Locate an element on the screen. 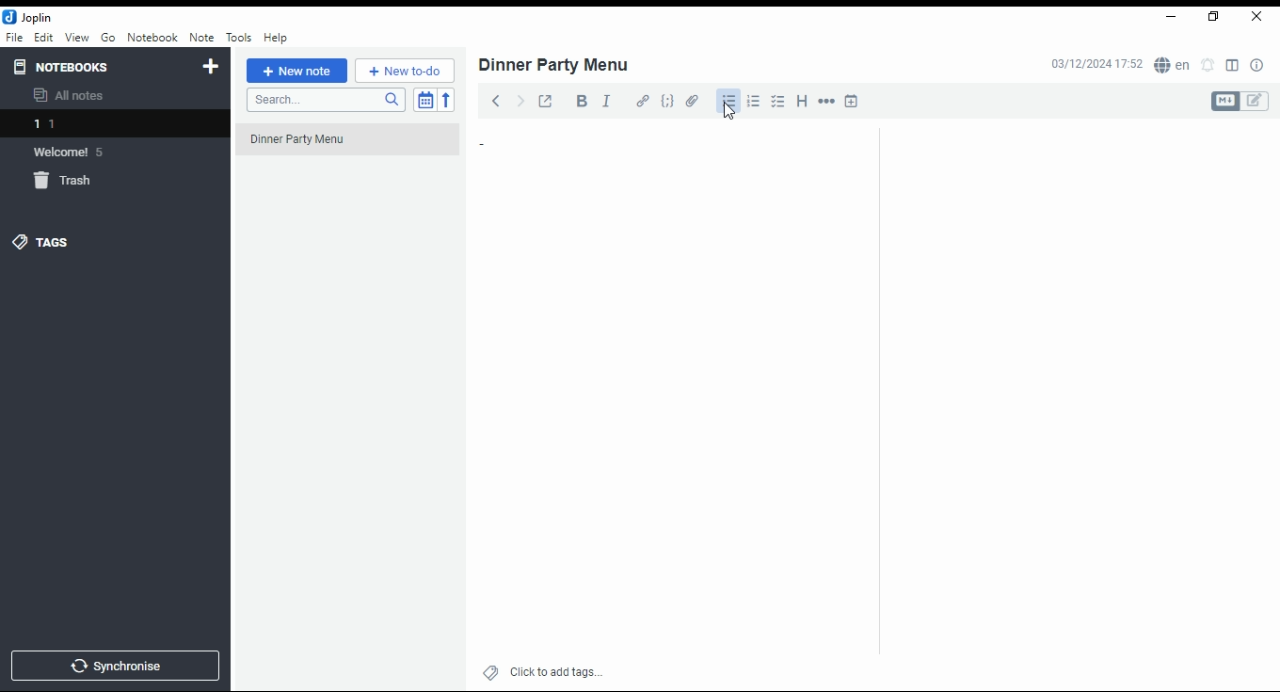 The image size is (1280, 692). close is located at coordinates (1256, 18).